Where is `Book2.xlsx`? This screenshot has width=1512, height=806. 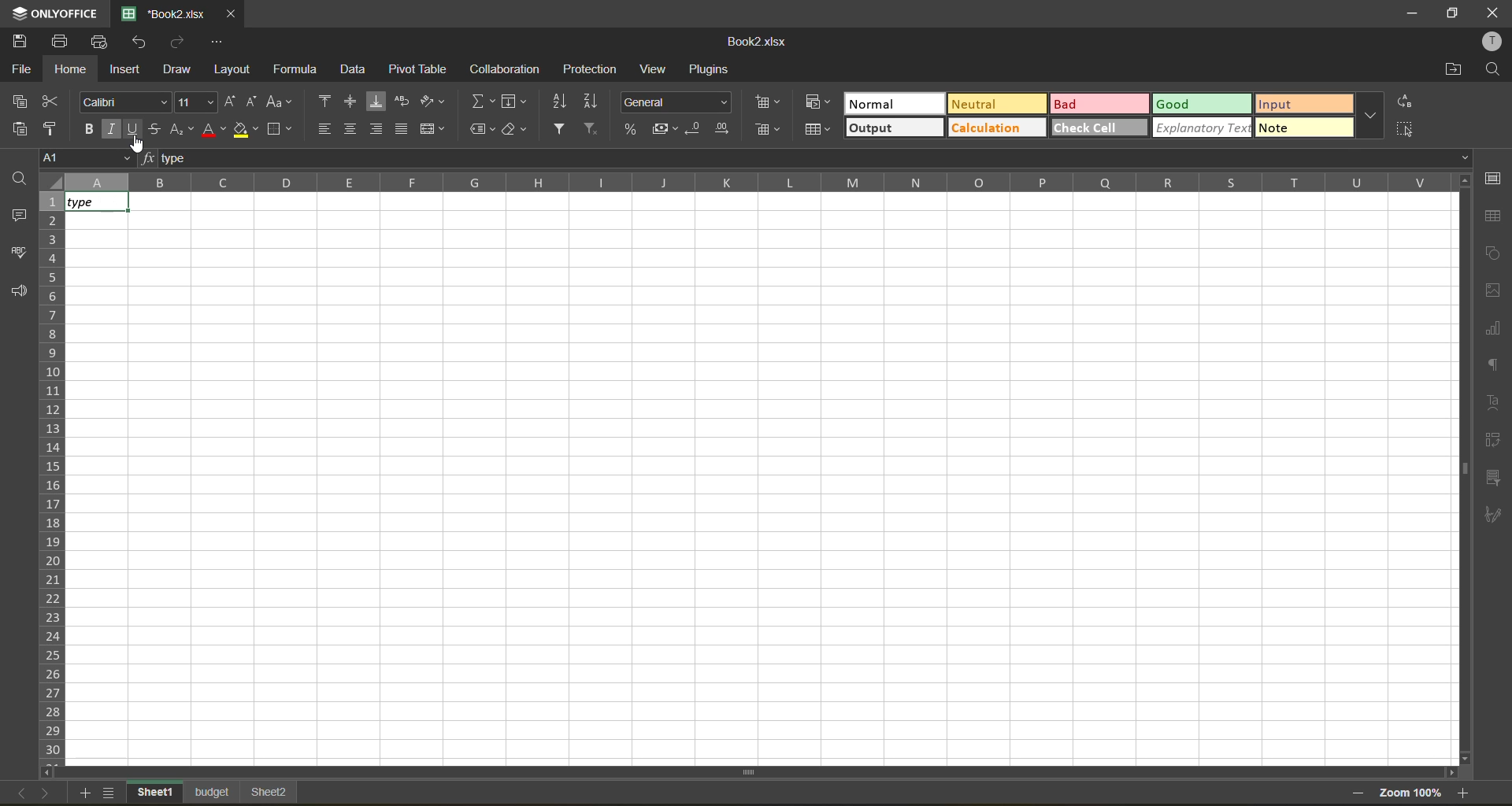 Book2.xlsx is located at coordinates (166, 13).